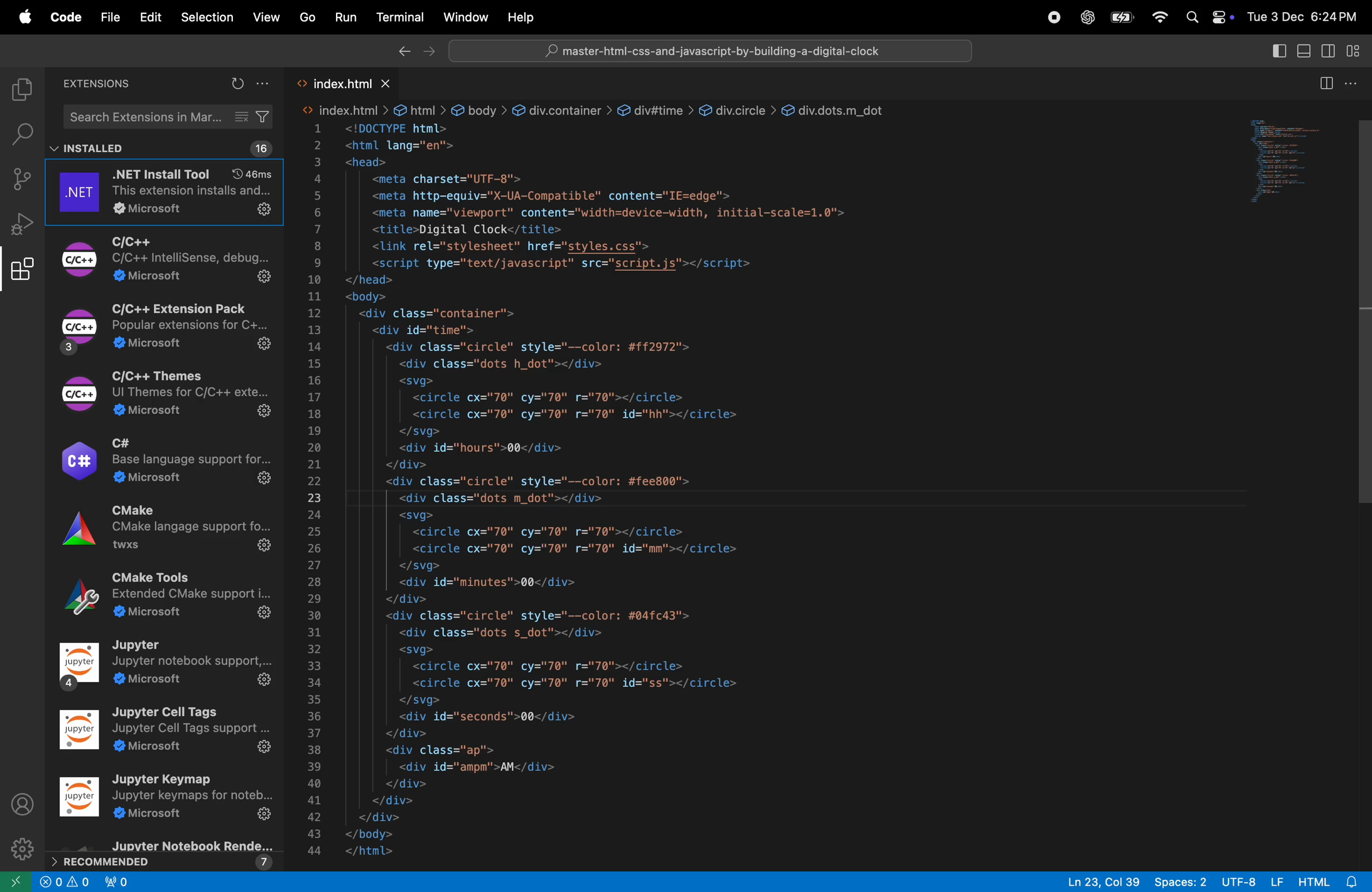 Image resolution: width=1372 pixels, height=892 pixels. I want to click on no problems, so click(69, 882).